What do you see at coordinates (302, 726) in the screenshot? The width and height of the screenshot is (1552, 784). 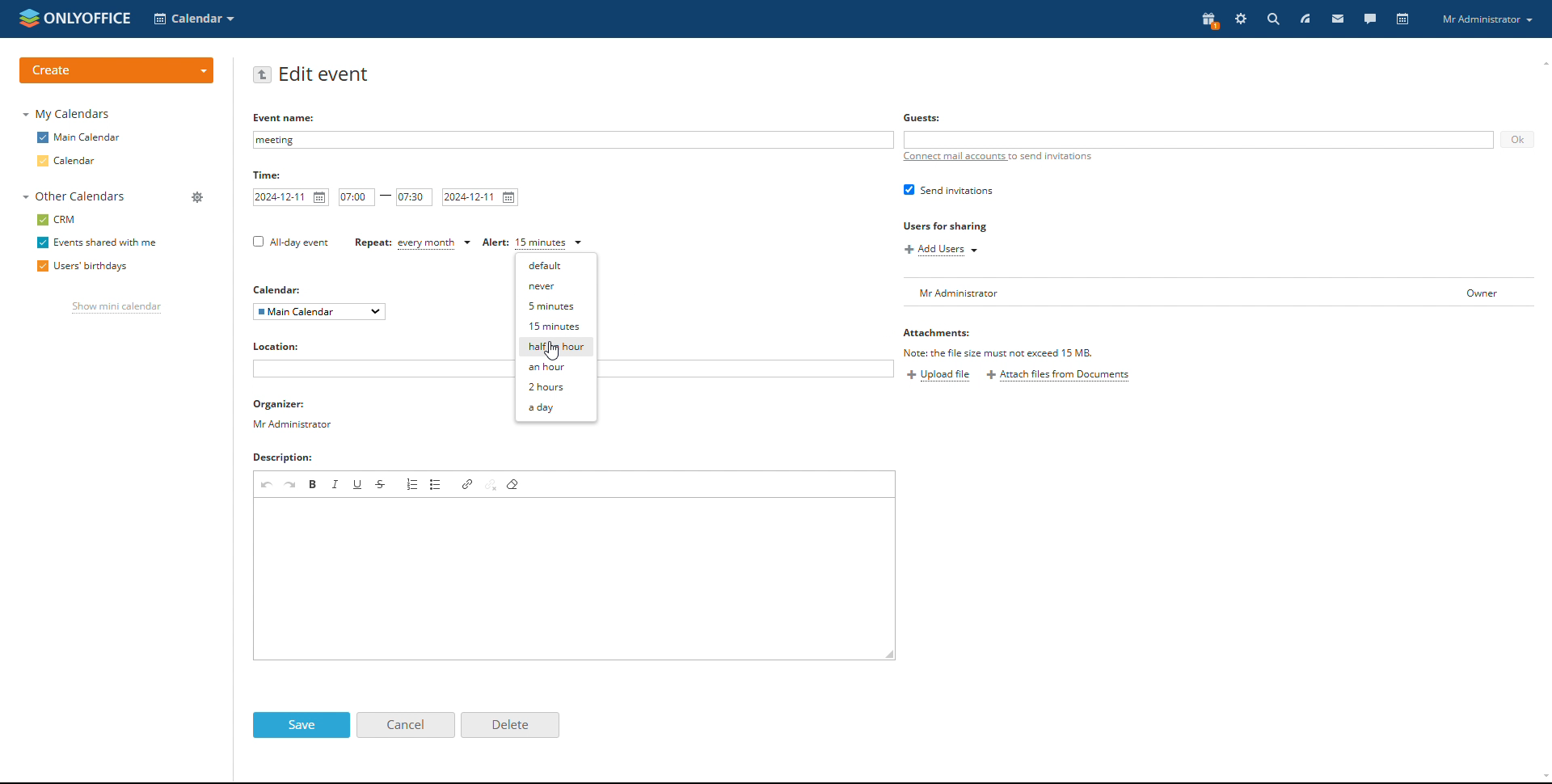 I see `save` at bounding box center [302, 726].